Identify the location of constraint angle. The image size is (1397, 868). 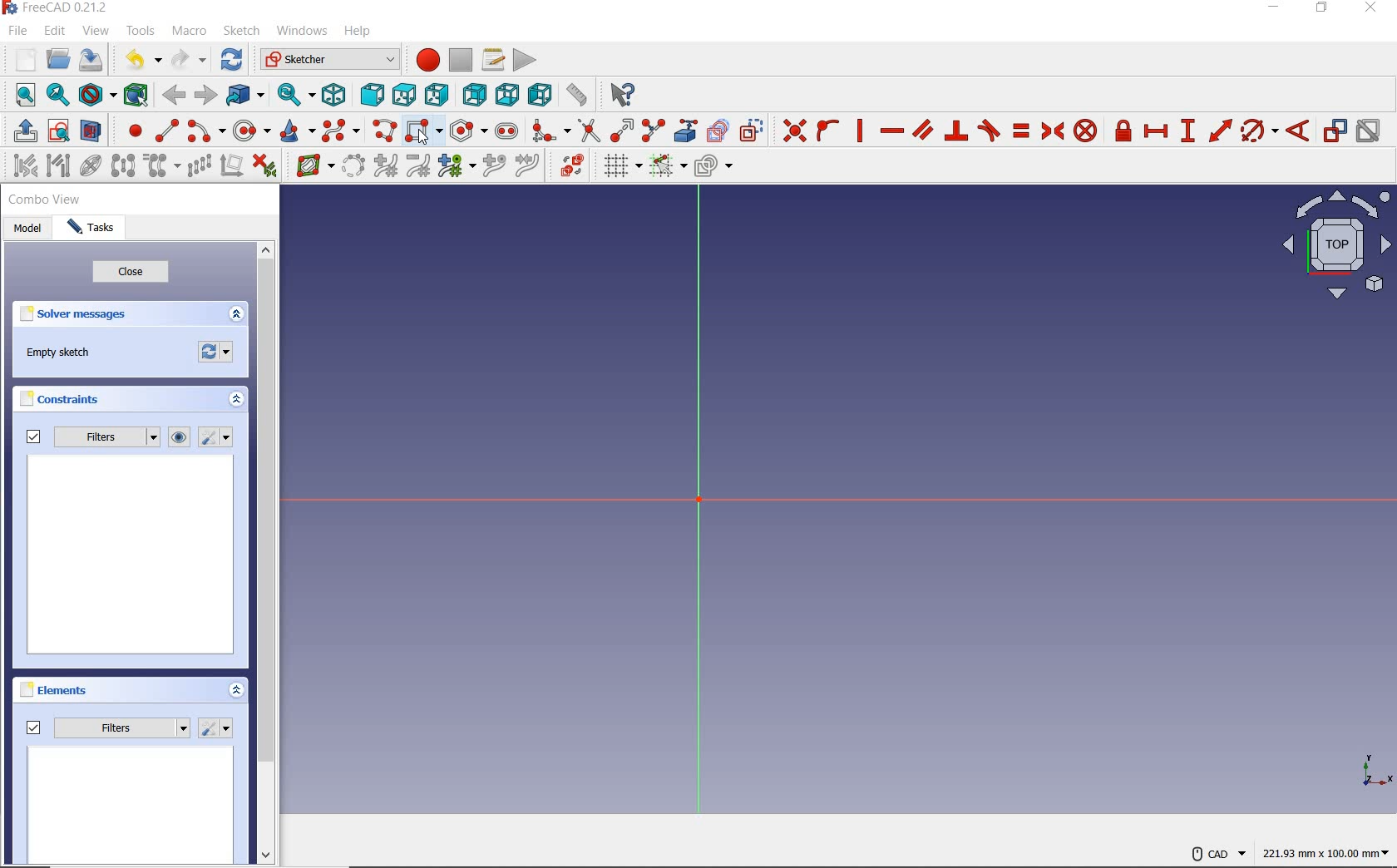
(1299, 130).